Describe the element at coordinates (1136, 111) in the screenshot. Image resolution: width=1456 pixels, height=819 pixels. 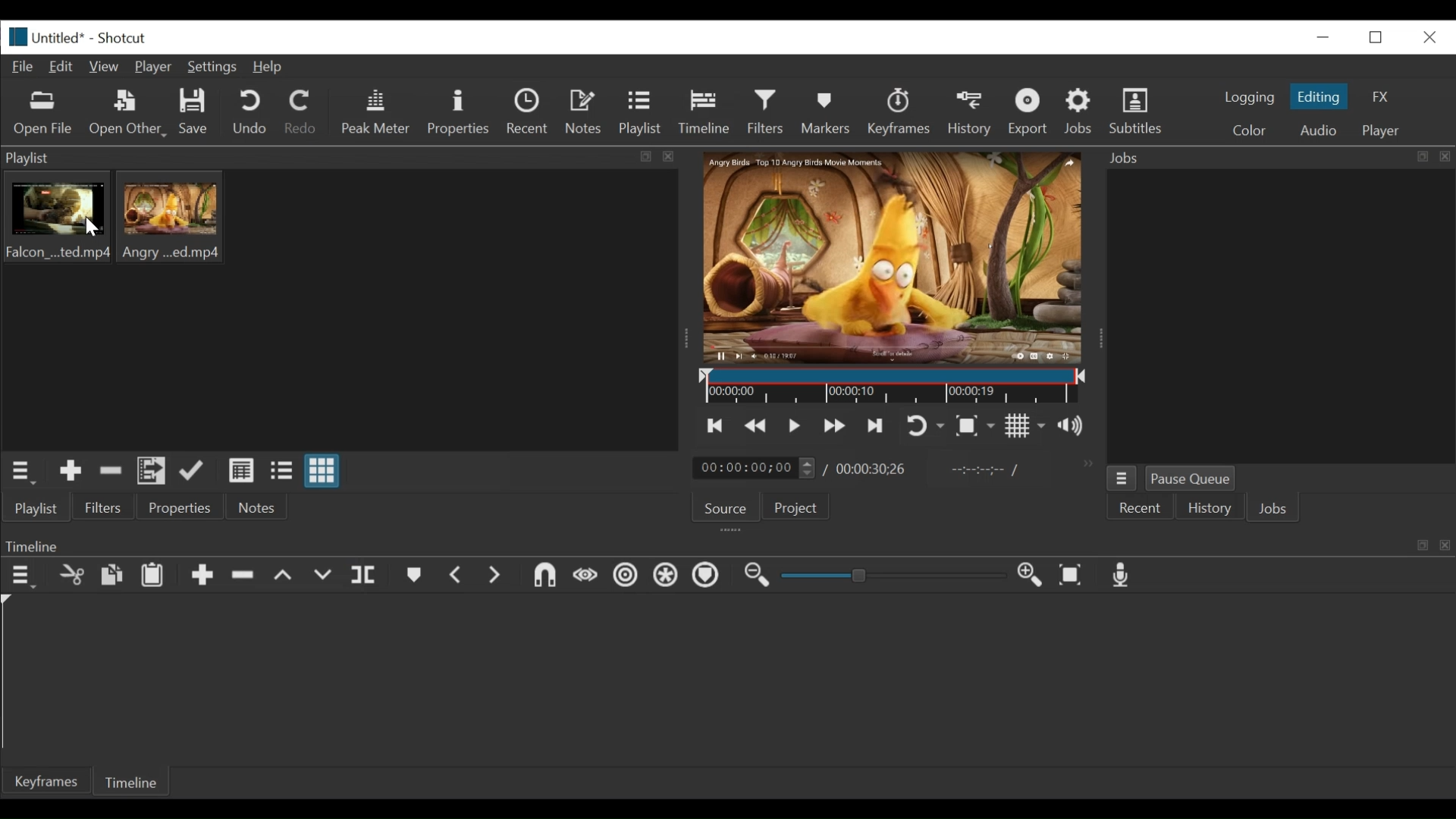
I see `Subtitles` at that location.